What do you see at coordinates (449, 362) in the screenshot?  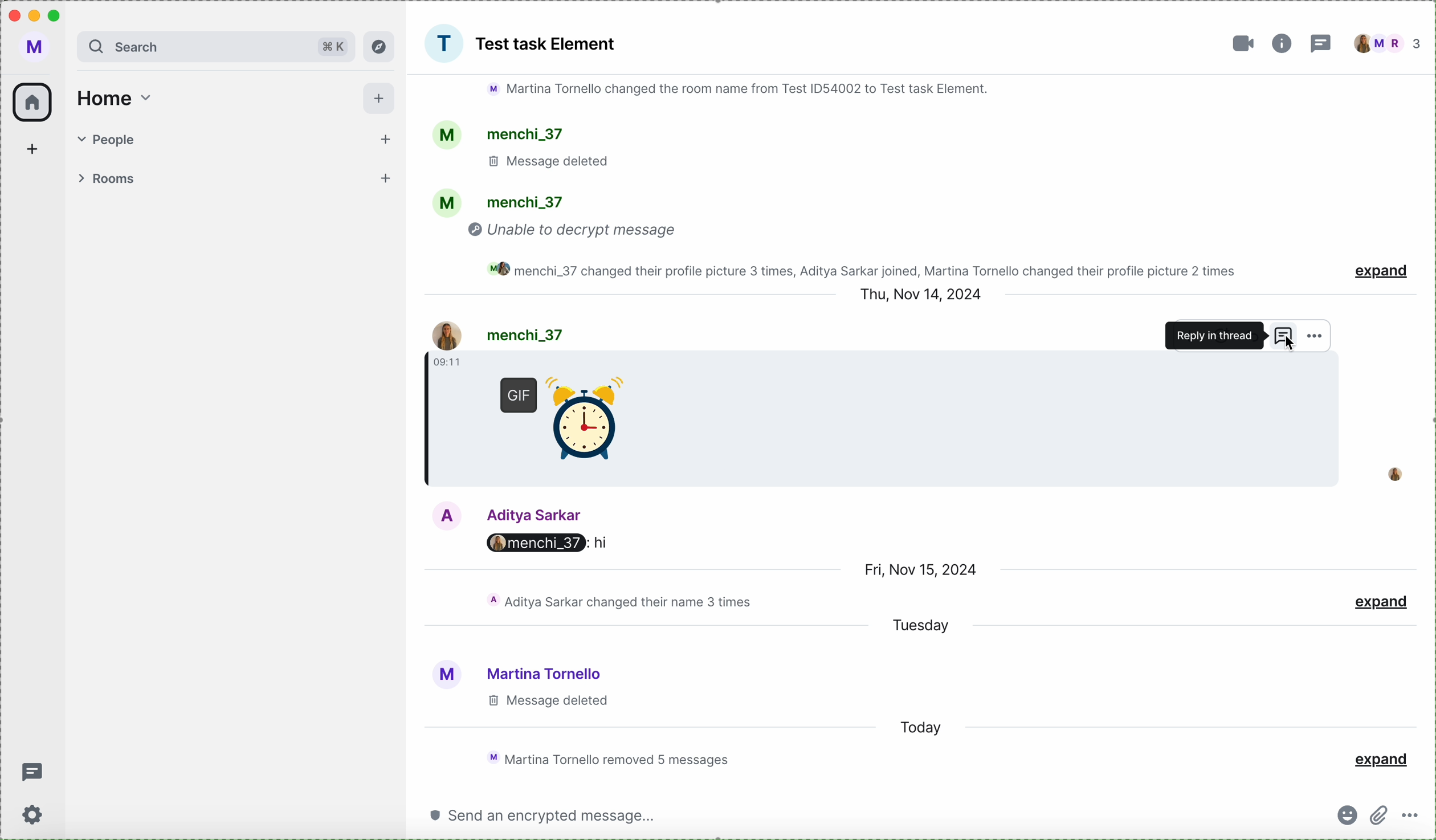 I see `hour` at bounding box center [449, 362].